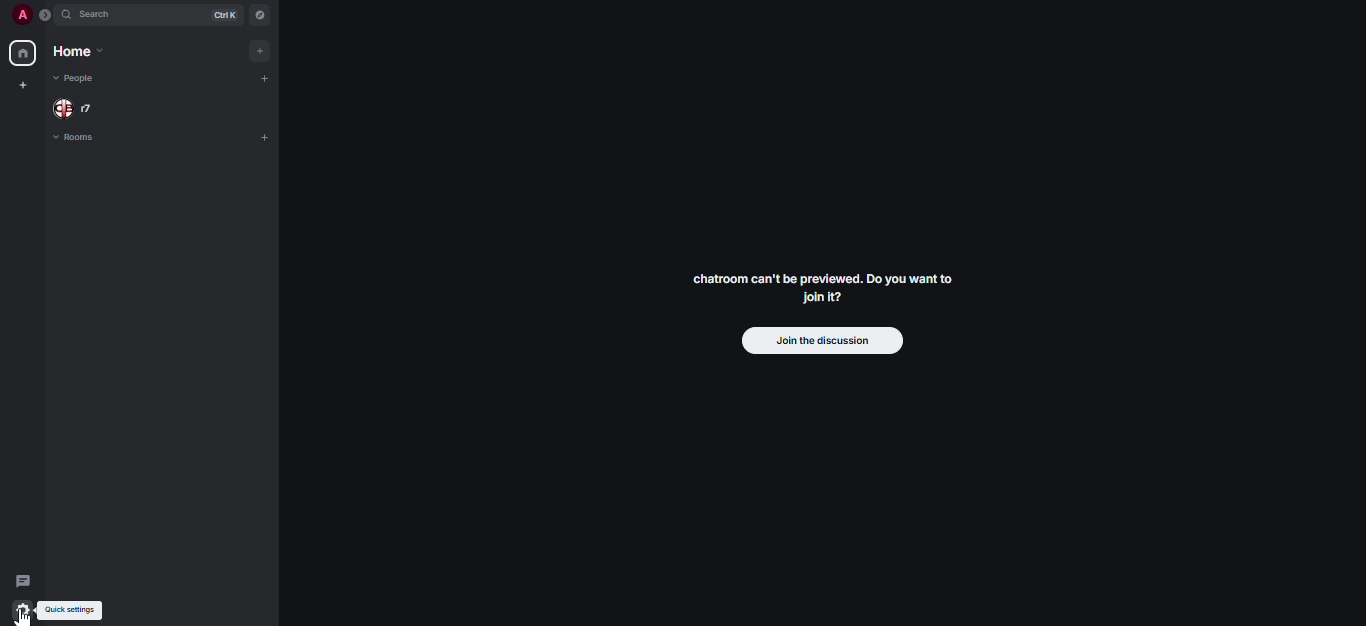 The image size is (1366, 626). I want to click on search, so click(90, 14).